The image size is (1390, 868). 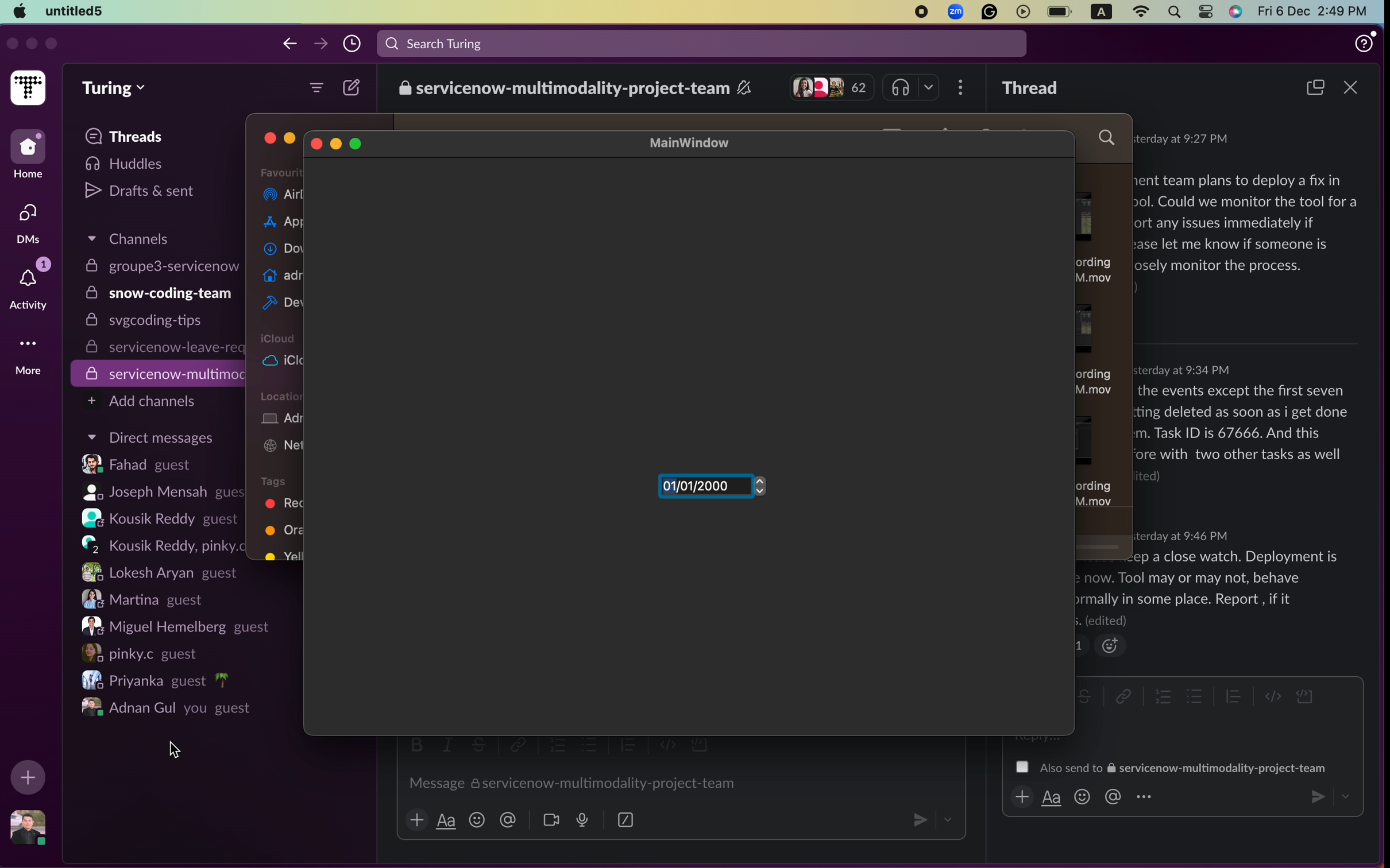 What do you see at coordinates (20, 10) in the screenshot?
I see `apple button` at bounding box center [20, 10].